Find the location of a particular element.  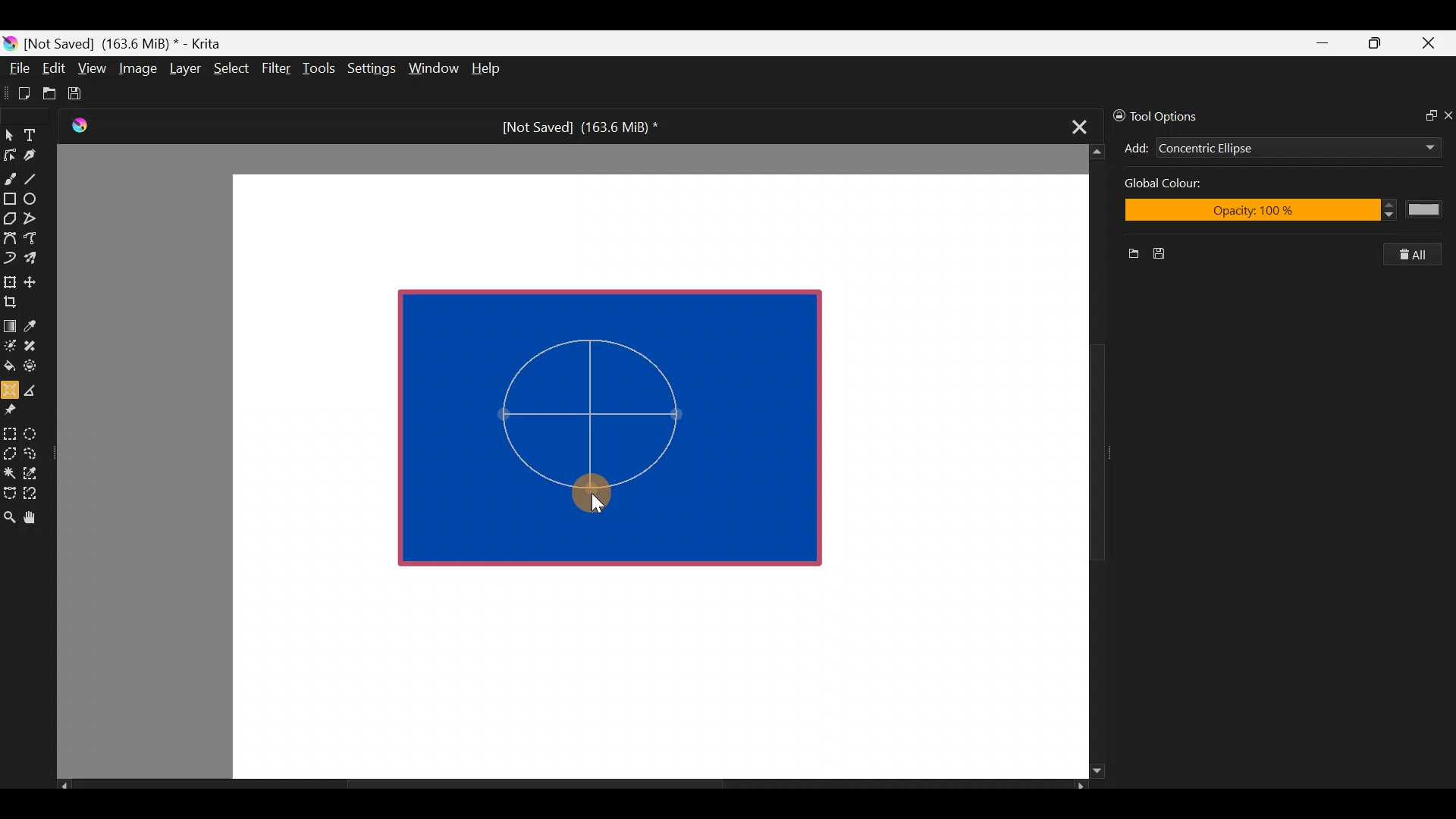

[Not Saved] (163.6 MiB) * is located at coordinates (574, 127).